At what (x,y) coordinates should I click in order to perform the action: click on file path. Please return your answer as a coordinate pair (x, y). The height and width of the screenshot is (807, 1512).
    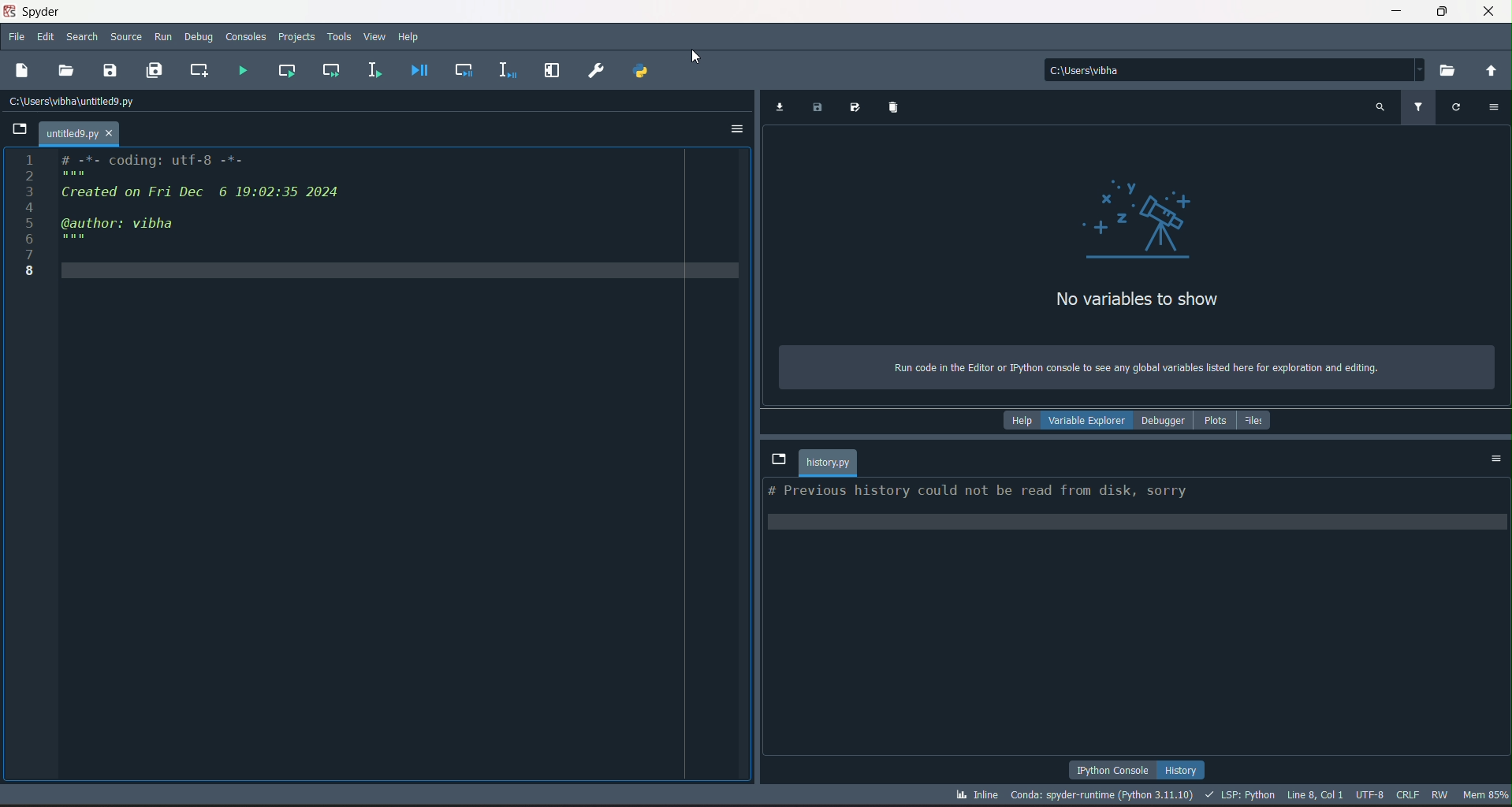
    Looking at the image, I should click on (1235, 69).